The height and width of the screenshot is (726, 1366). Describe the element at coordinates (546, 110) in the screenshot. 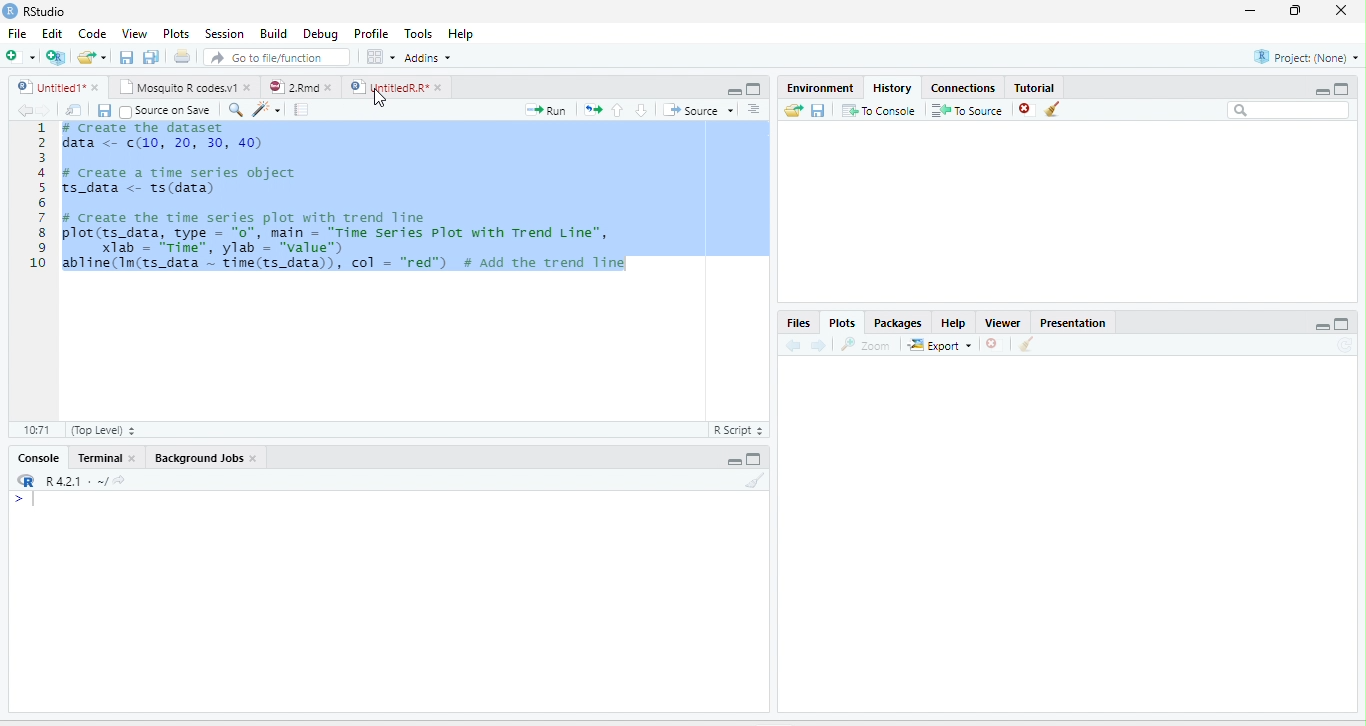

I see `Run` at that location.